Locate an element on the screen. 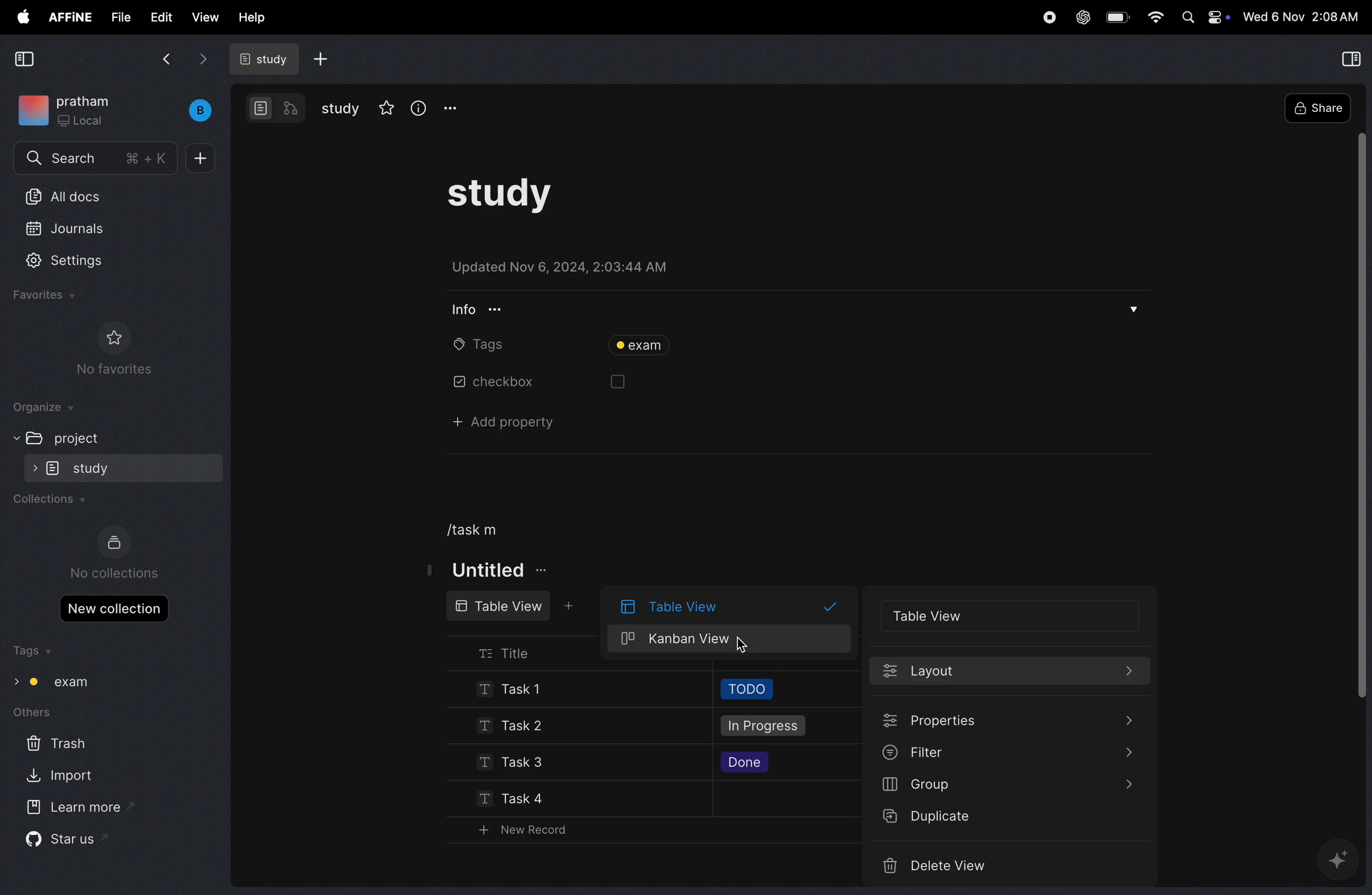 The image size is (1372, 895). gemini is located at coordinates (1338, 858).